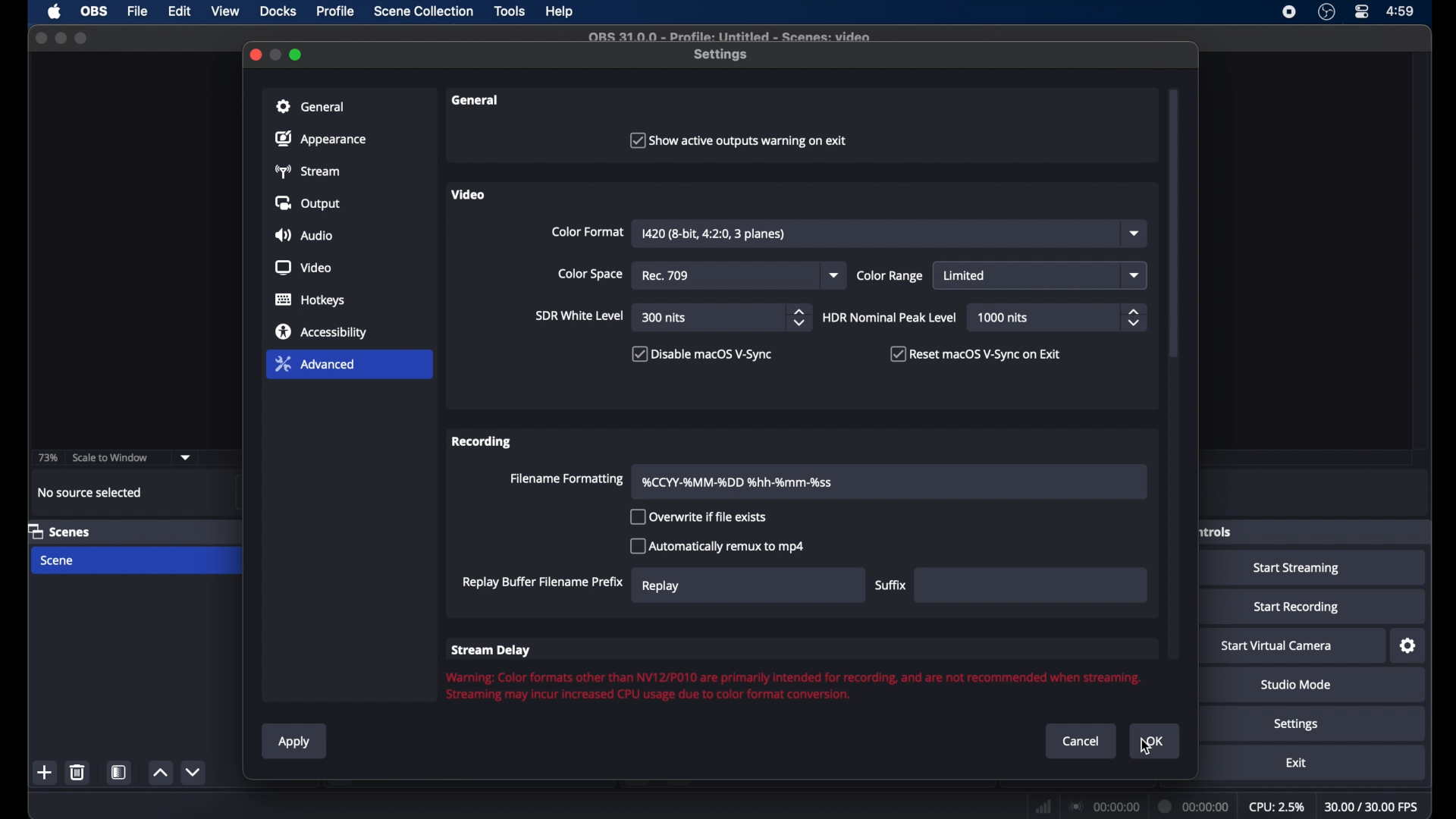 The height and width of the screenshot is (819, 1456). Describe the element at coordinates (422, 11) in the screenshot. I see `scene collection` at that location.